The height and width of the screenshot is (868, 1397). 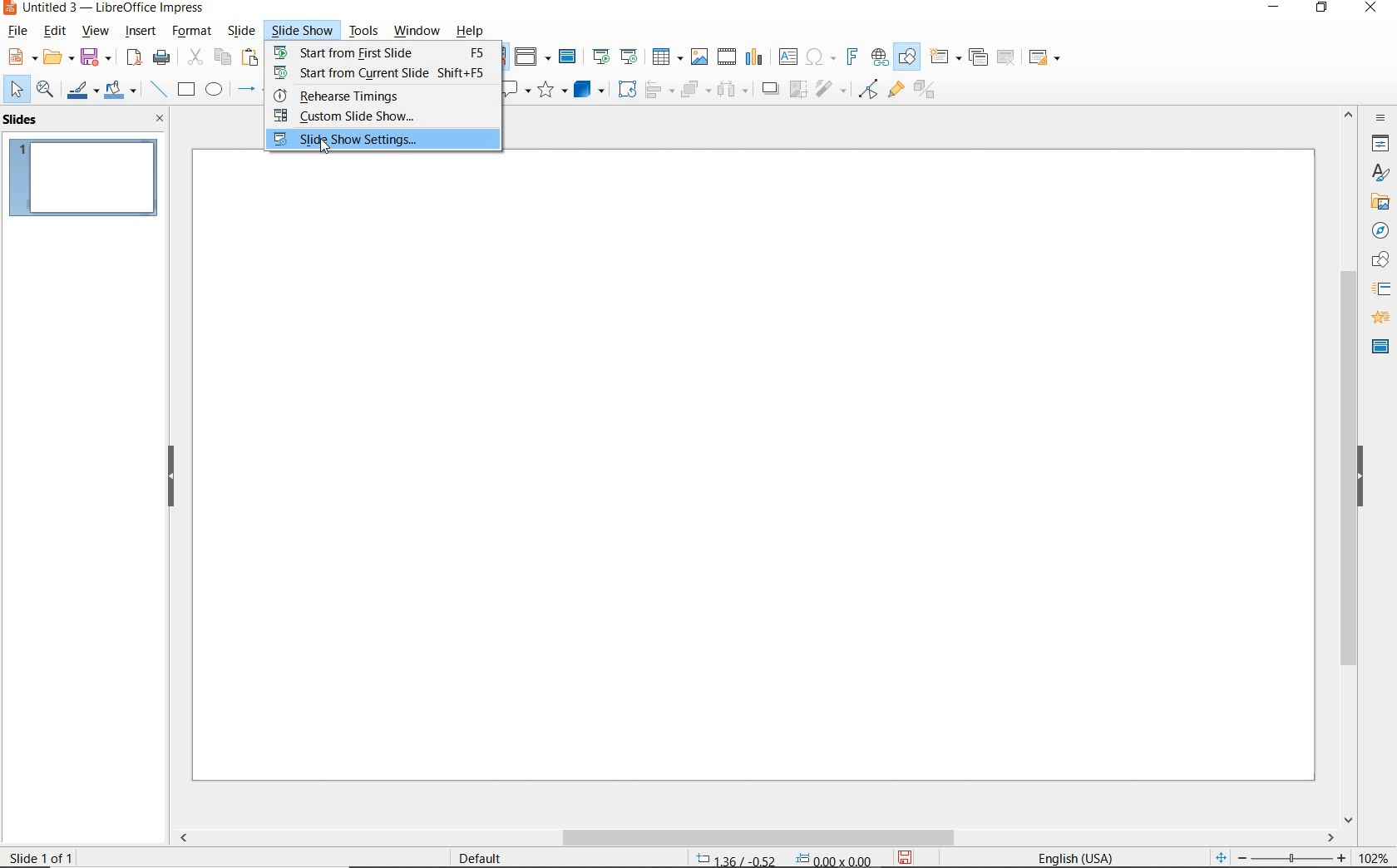 I want to click on SHOW DRAW FUNCTIONS, so click(x=908, y=55).